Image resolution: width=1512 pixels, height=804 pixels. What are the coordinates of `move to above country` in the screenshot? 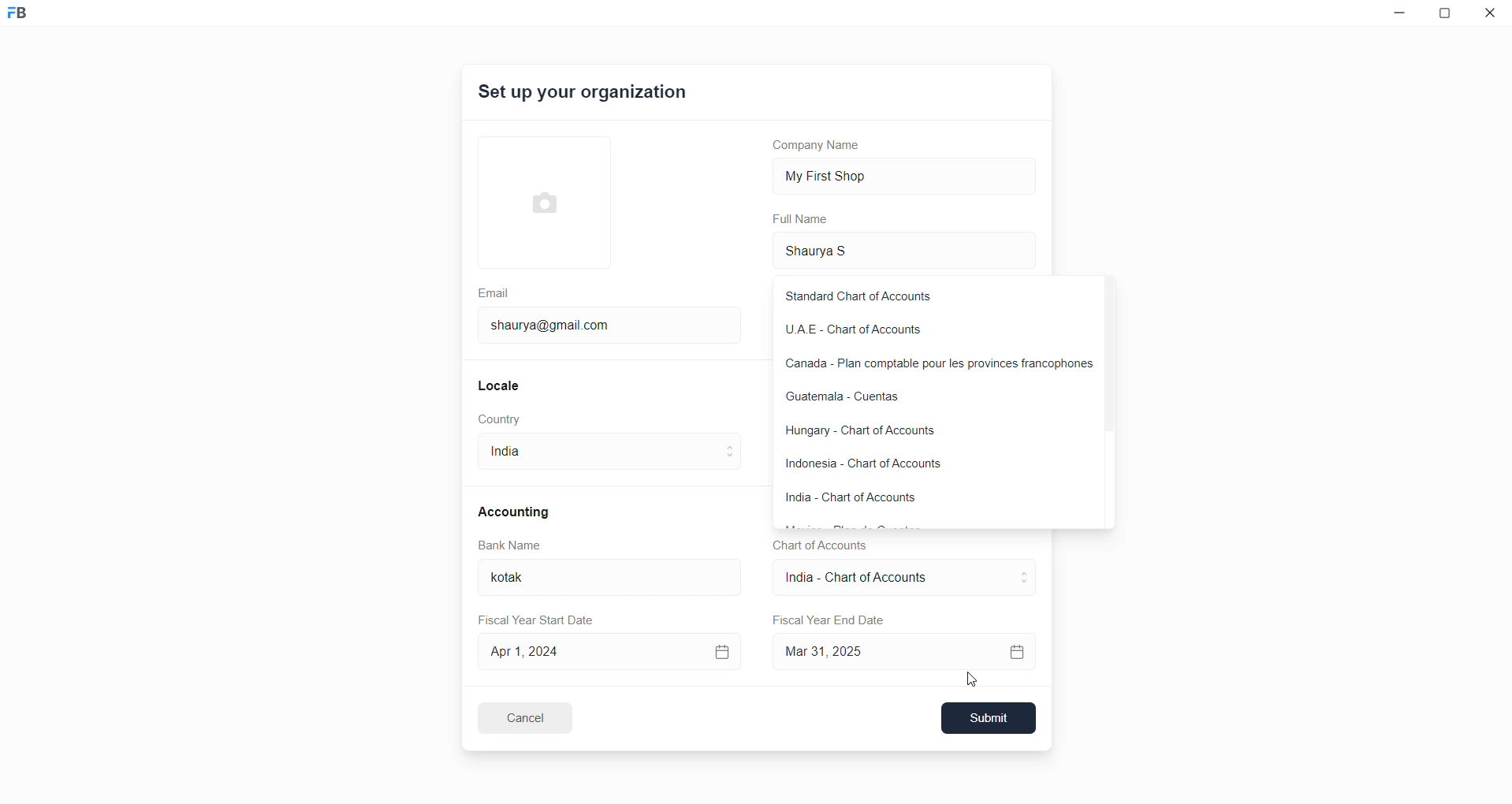 It's located at (733, 445).